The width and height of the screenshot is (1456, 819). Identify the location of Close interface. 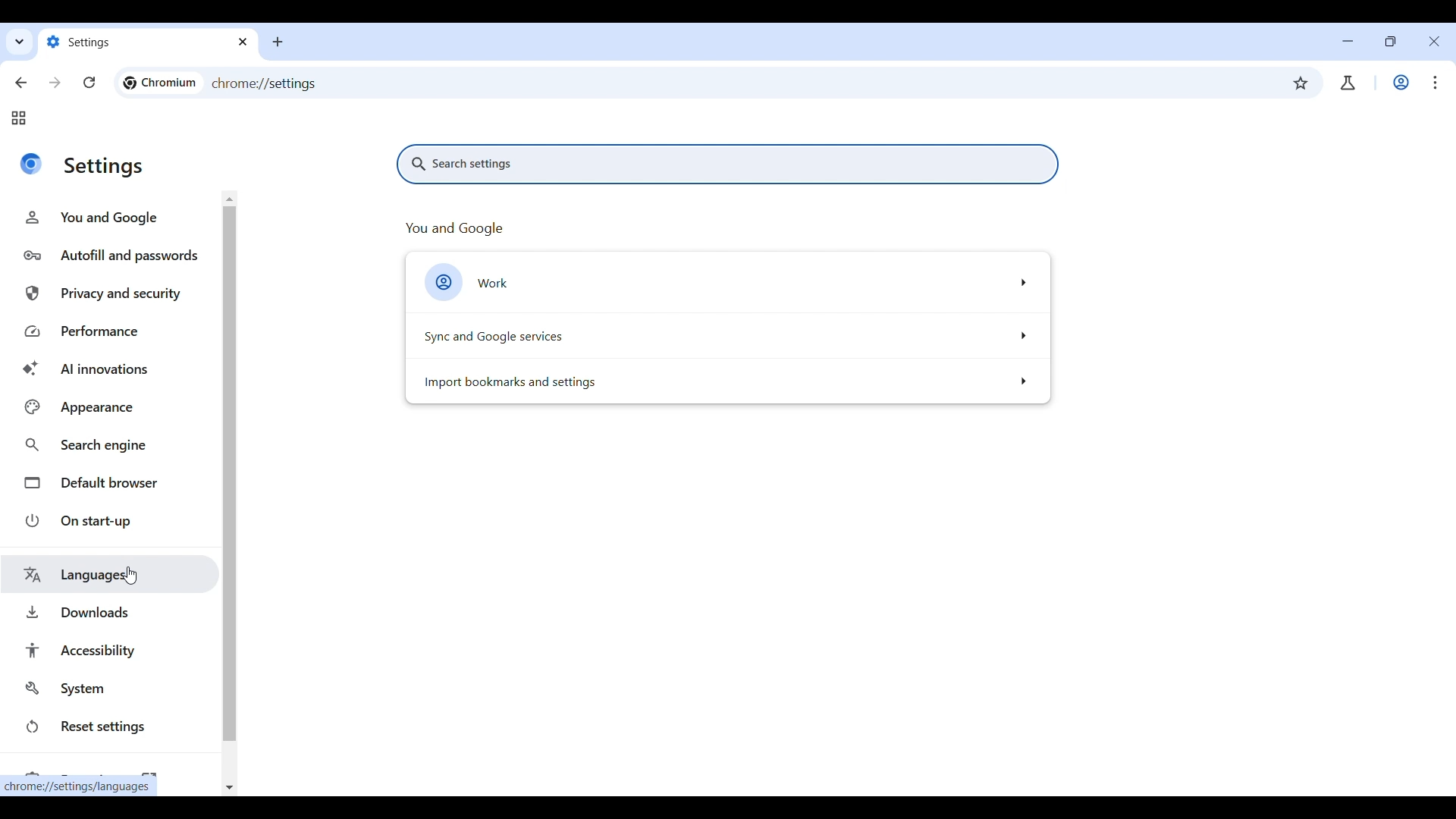
(1435, 42).